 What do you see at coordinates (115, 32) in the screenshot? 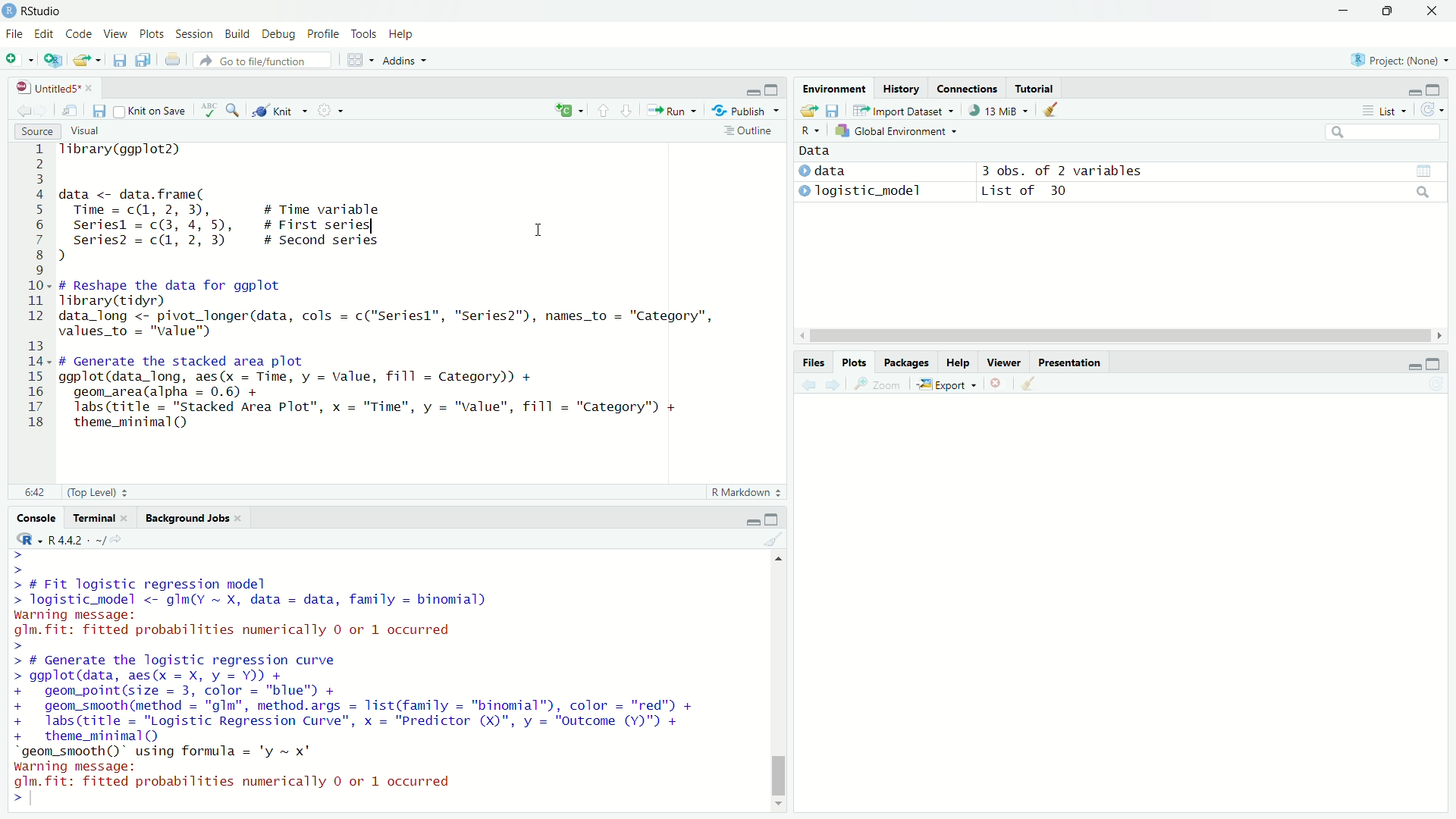
I see `View` at bounding box center [115, 32].